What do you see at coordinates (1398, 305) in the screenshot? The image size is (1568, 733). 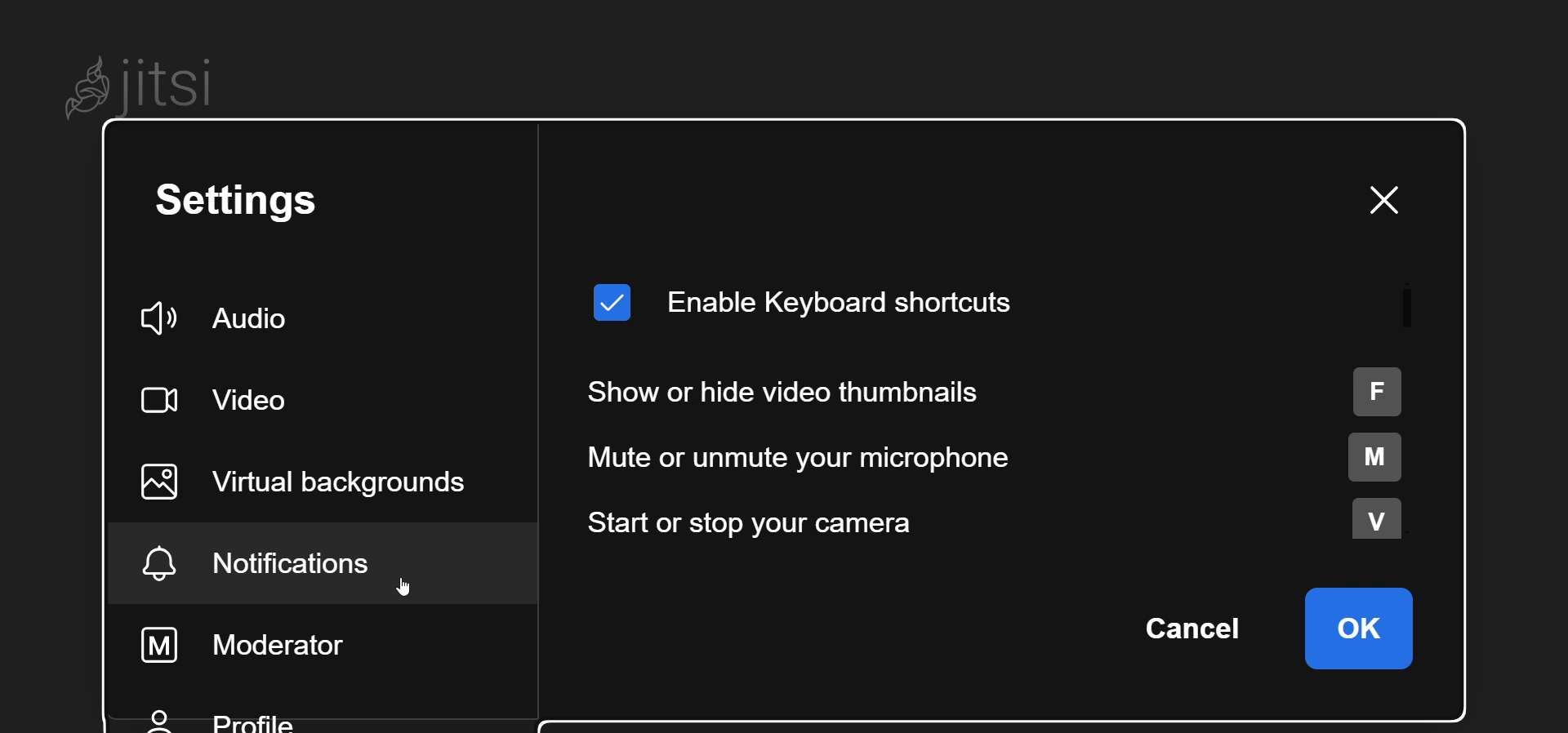 I see `scroll bar` at bounding box center [1398, 305].